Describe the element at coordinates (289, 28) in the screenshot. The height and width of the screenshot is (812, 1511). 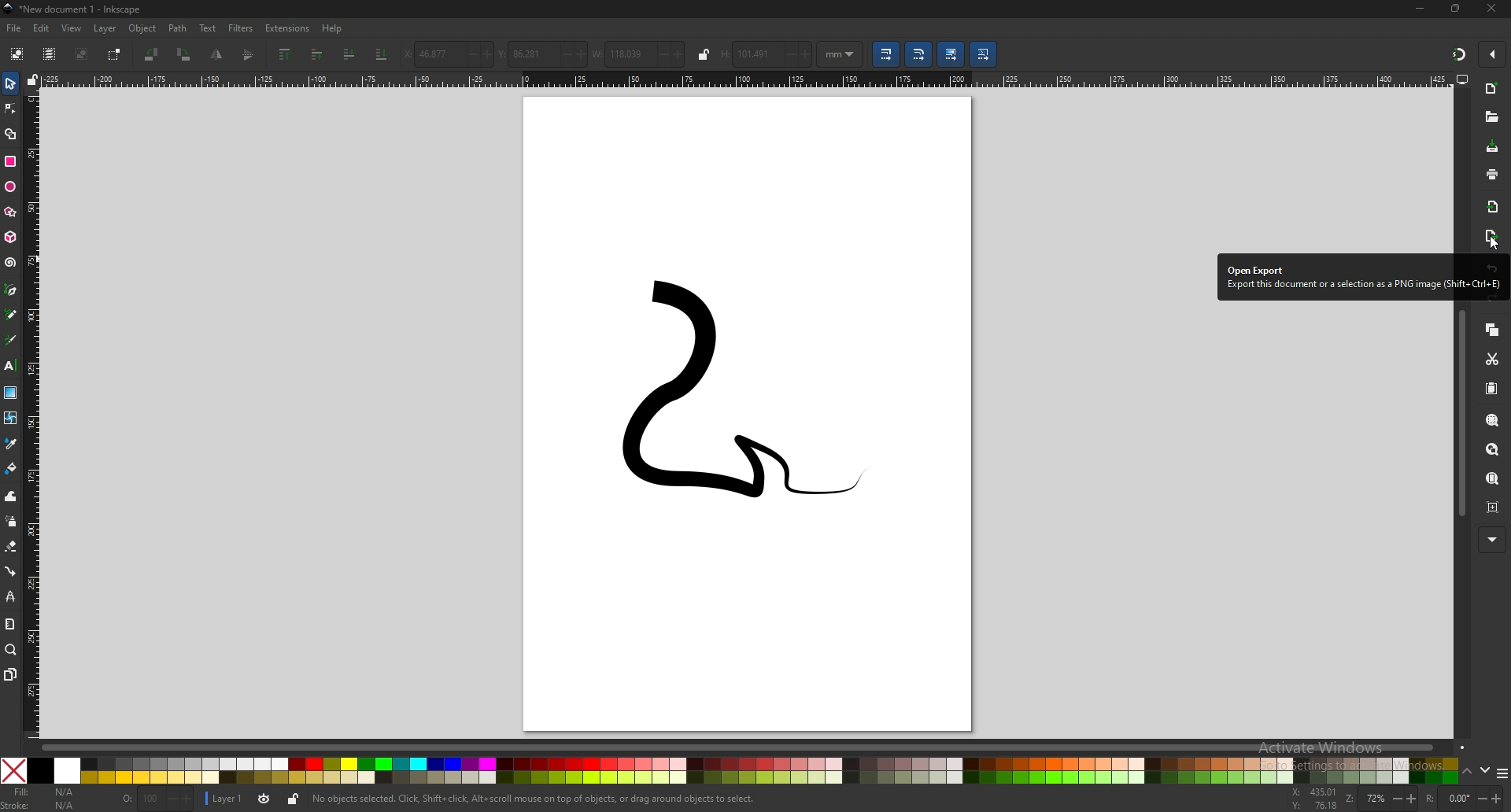
I see `extensions` at that location.